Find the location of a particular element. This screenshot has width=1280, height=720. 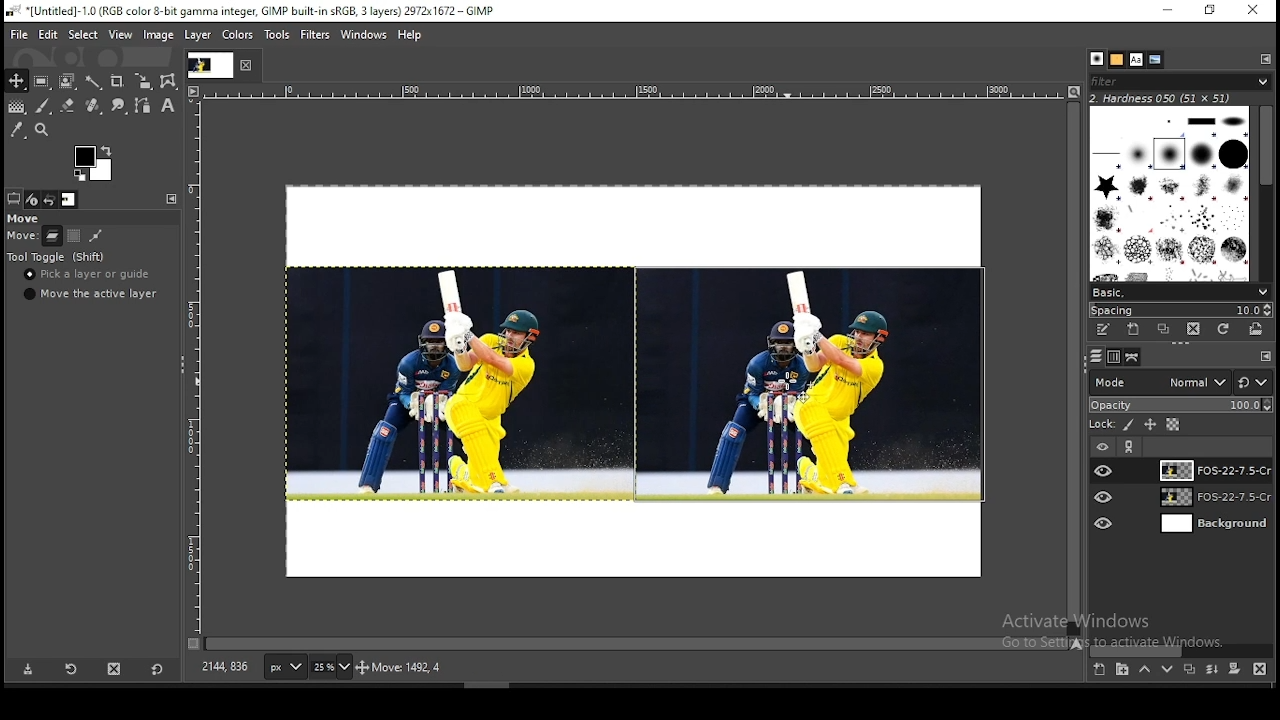

restore tool preset is located at coordinates (70, 670).